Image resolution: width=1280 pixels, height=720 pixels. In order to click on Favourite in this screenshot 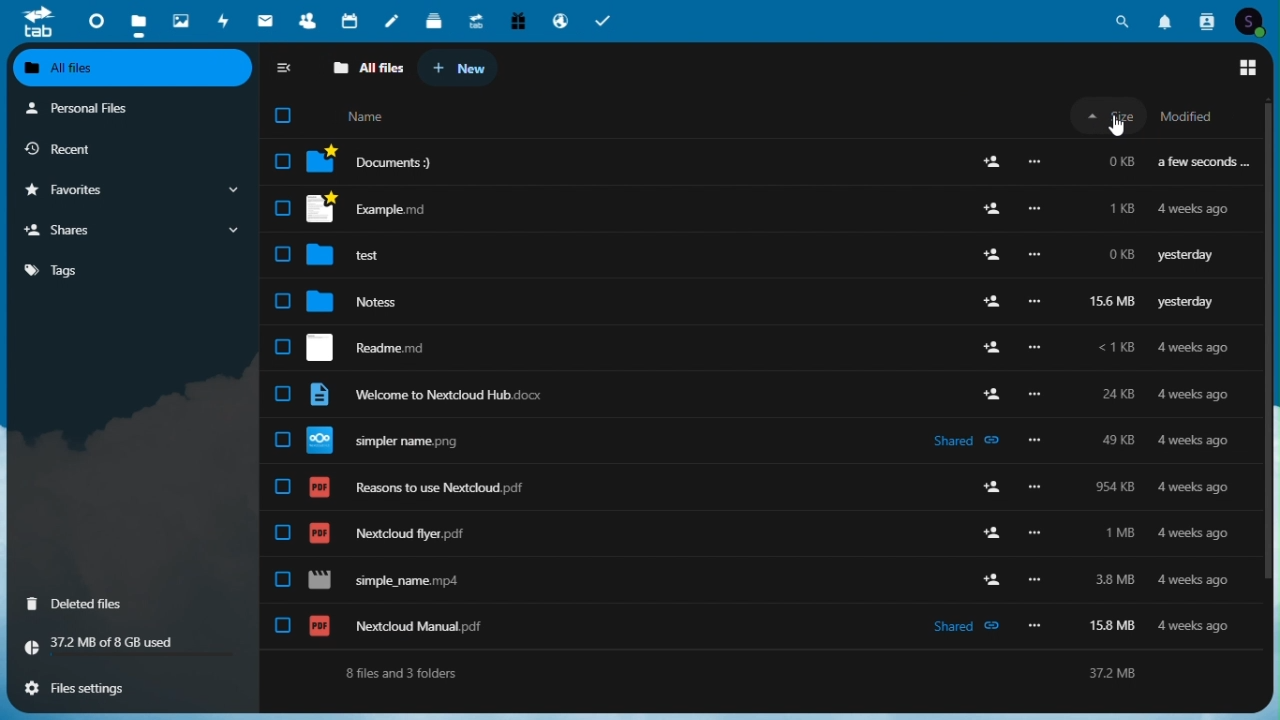, I will do `click(131, 188)`.